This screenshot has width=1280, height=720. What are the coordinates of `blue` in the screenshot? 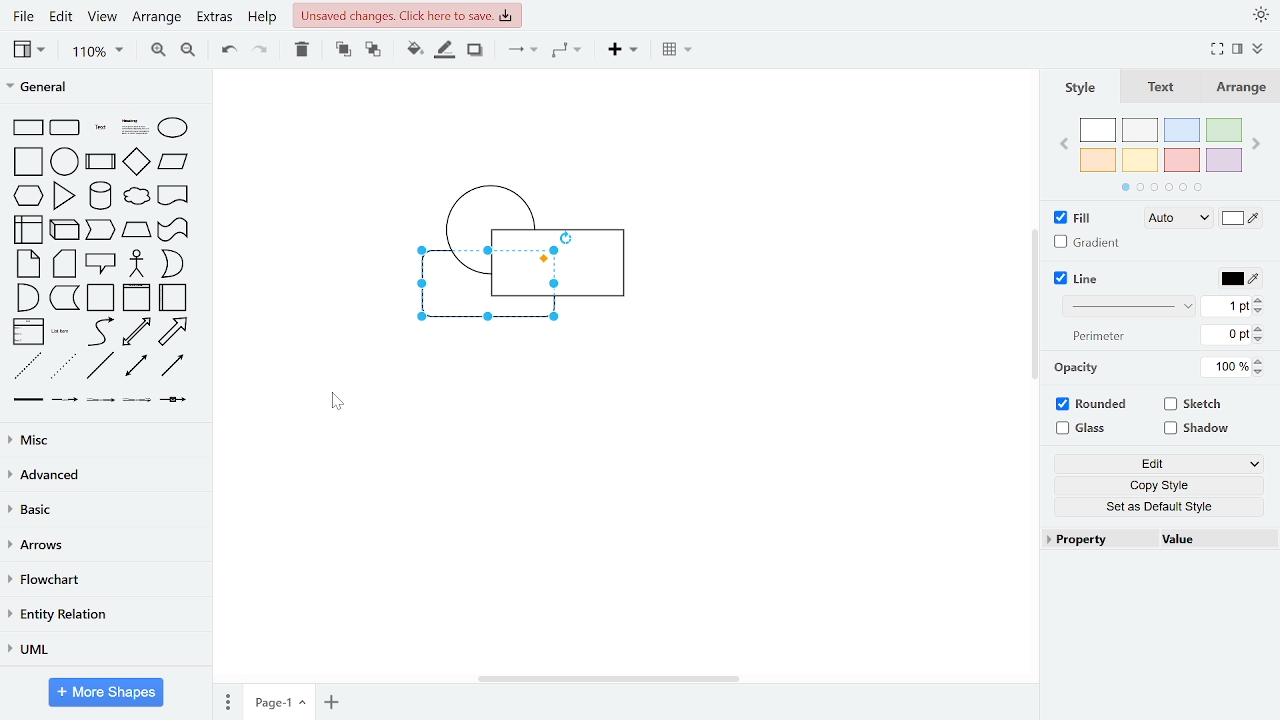 It's located at (1182, 130).